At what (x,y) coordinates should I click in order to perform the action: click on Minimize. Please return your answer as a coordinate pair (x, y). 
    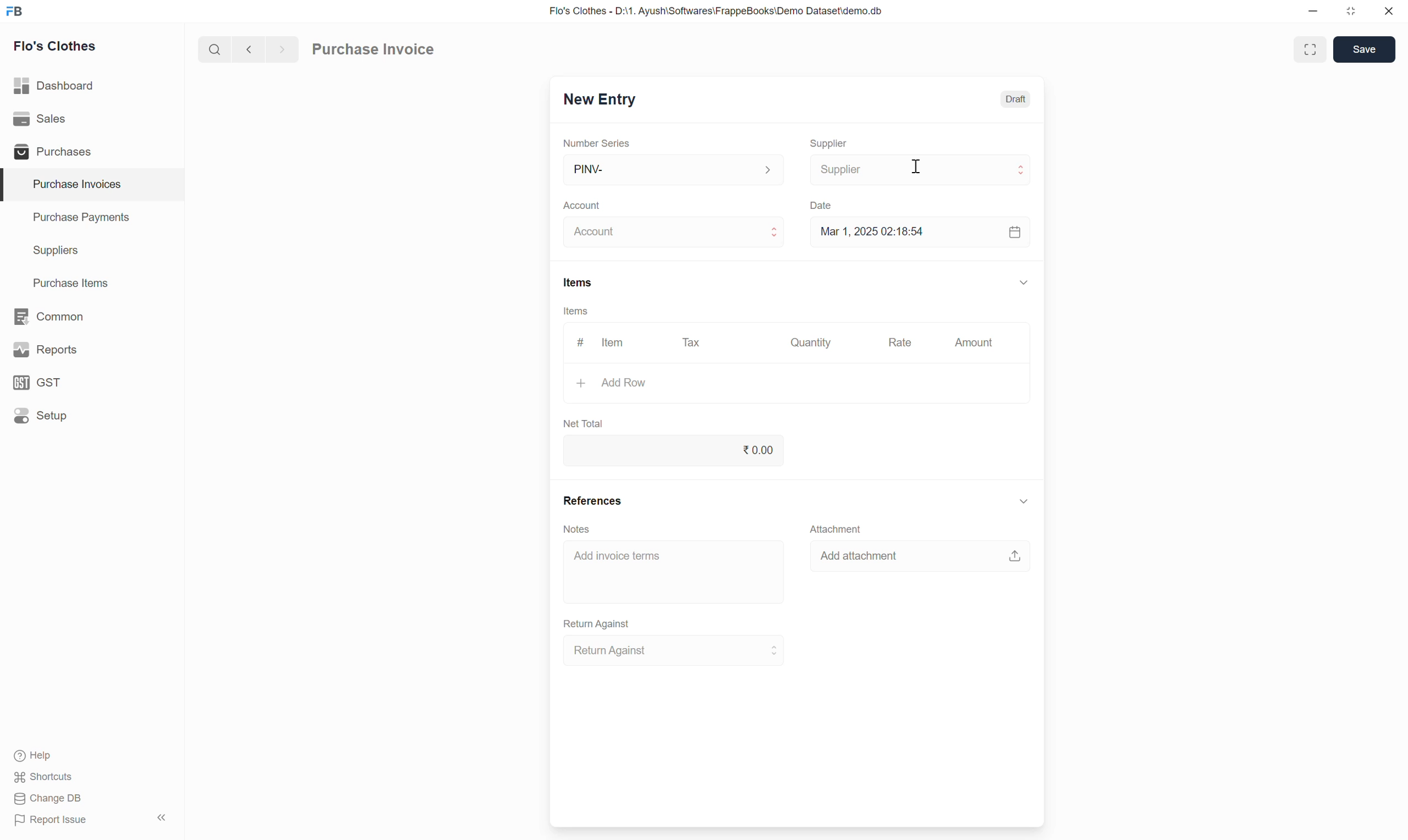
    Looking at the image, I should click on (1313, 11).